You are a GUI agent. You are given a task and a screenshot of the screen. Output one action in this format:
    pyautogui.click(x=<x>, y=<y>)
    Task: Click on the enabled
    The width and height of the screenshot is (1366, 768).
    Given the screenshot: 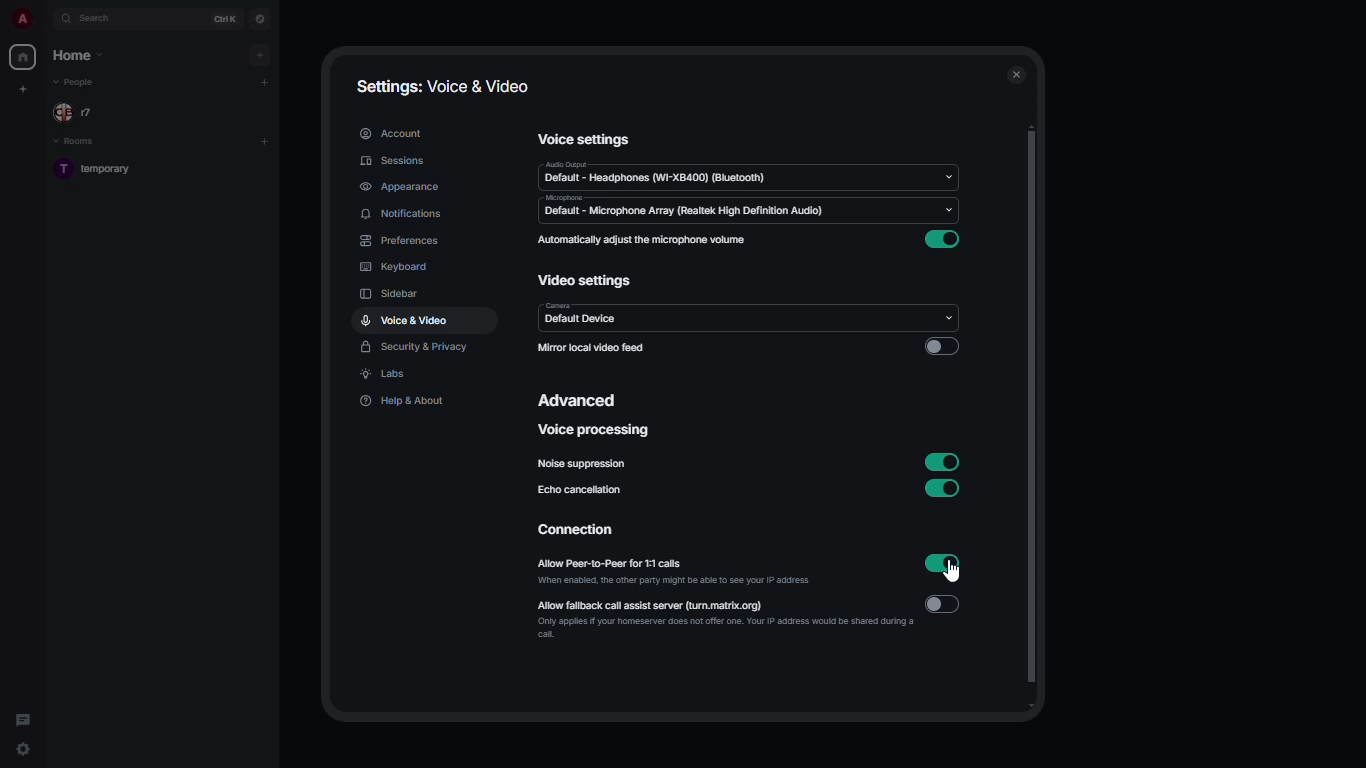 What is the action you would take?
    pyautogui.click(x=942, y=460)
    